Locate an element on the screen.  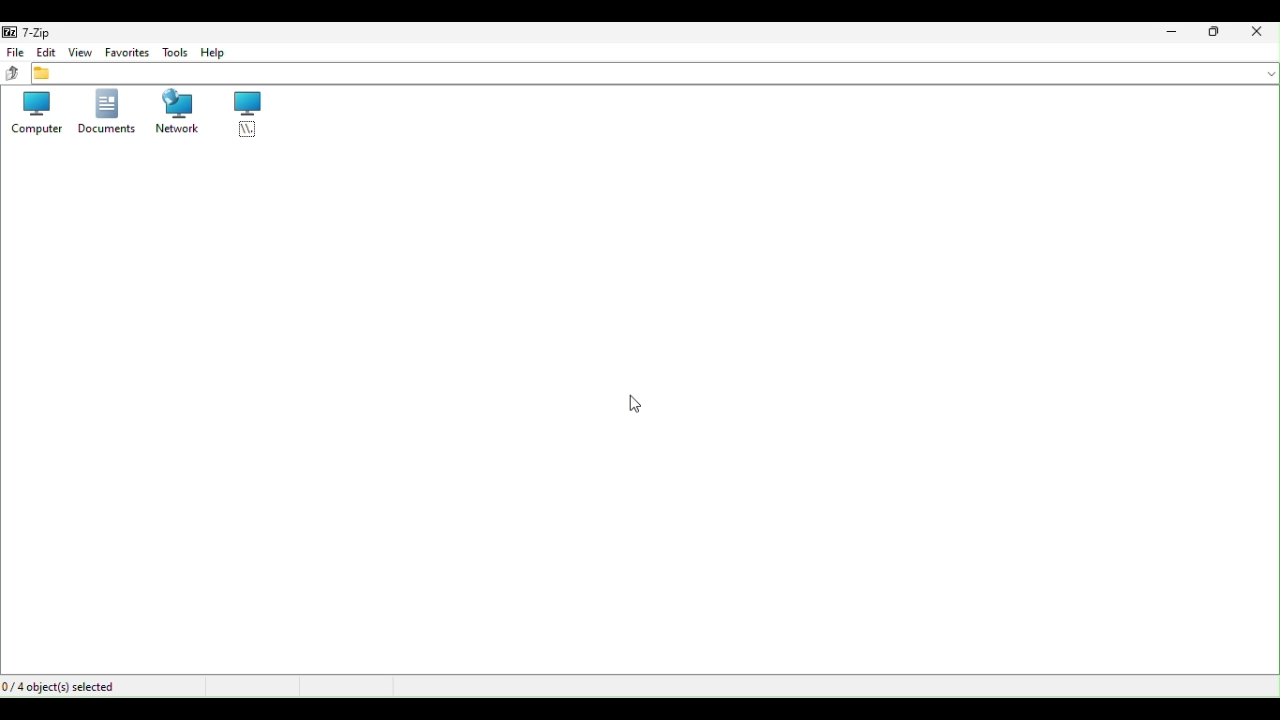
Documents is located at coordinates (105, 112).